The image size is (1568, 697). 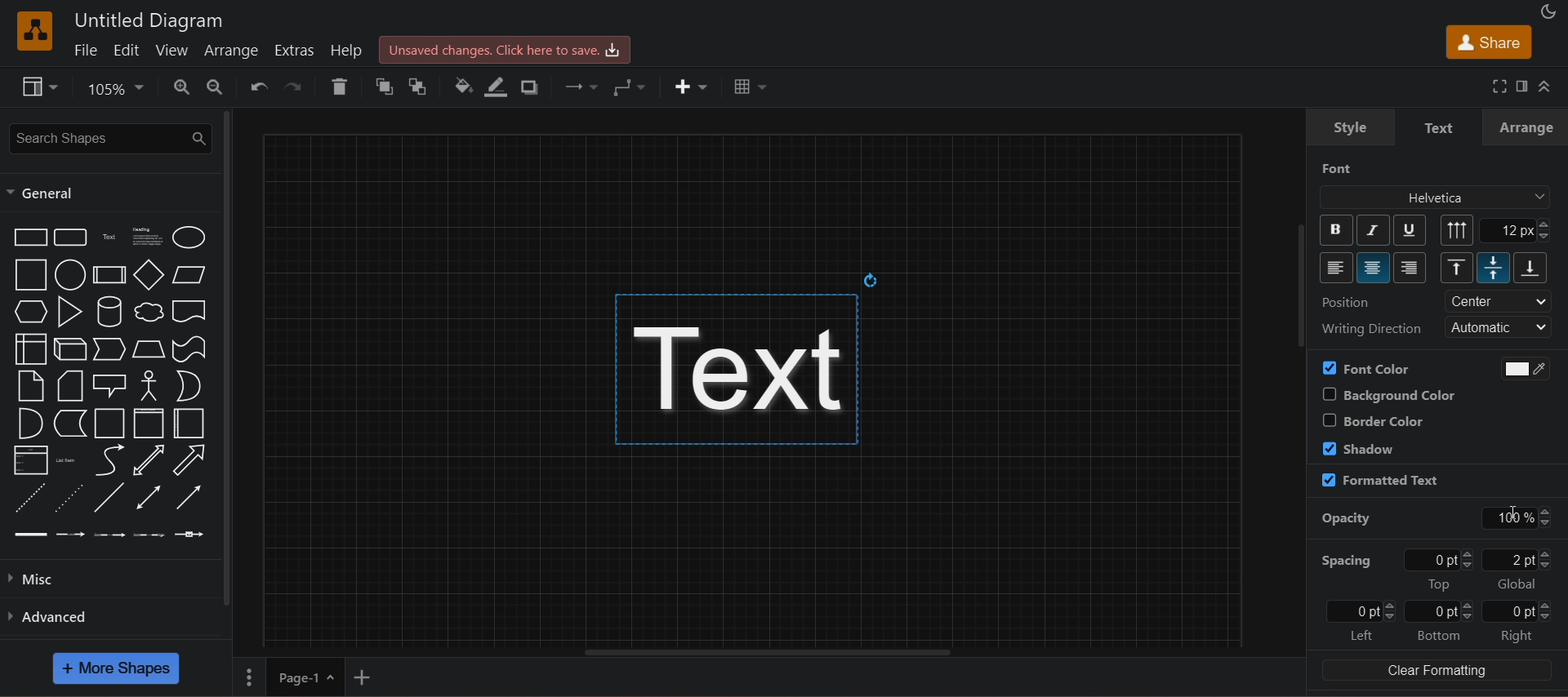 I want to click on curve, so click(x=108, y=460).